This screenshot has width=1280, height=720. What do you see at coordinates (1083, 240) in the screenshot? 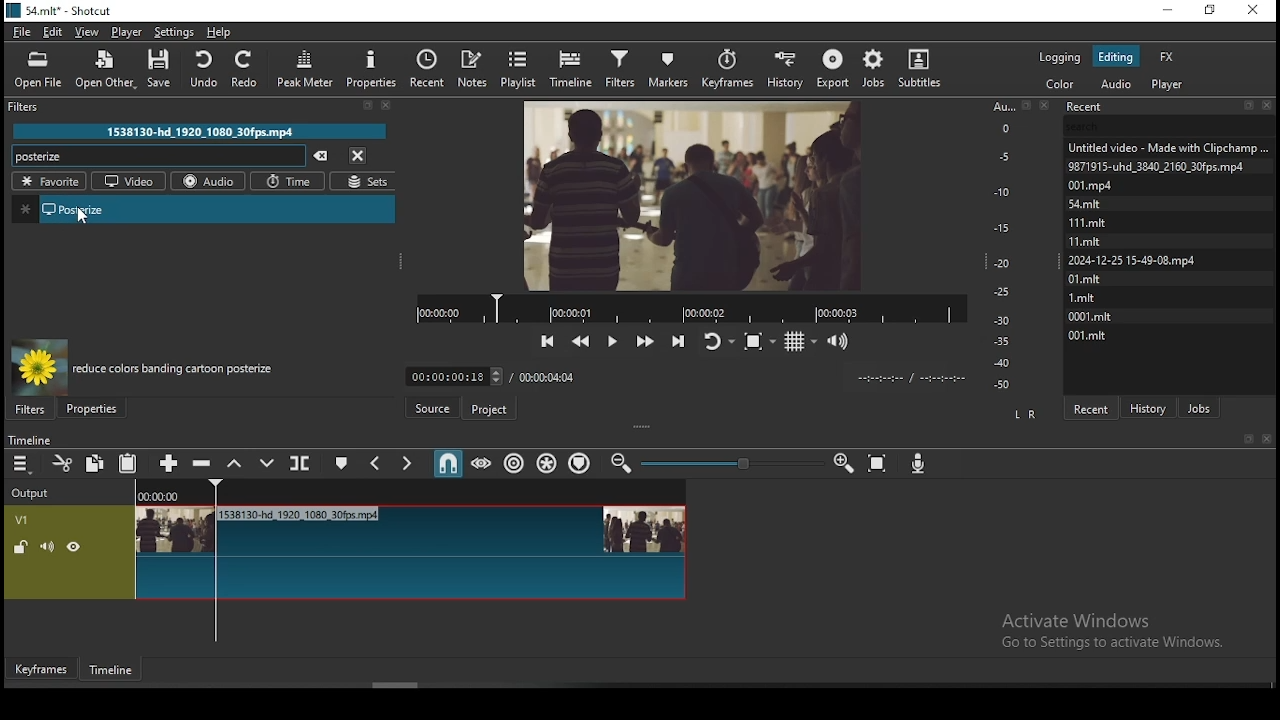
I see `11.mit` at bounding box center [1083, 240].